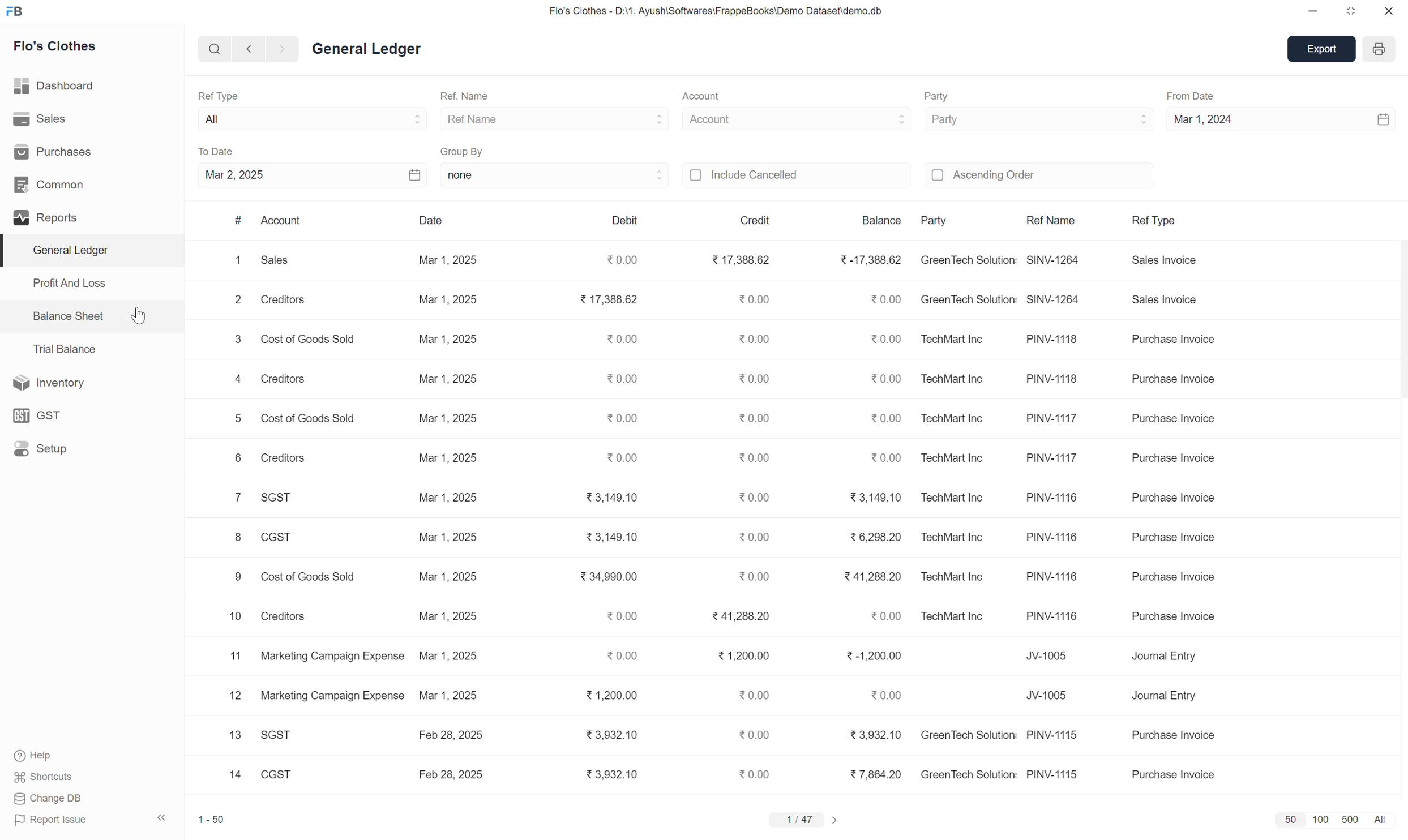 Image resolution: width=1408 pixels, height=840 pixels. Describe the element at coordinates (234, 616) in the screenshot. I see `10` at that location.